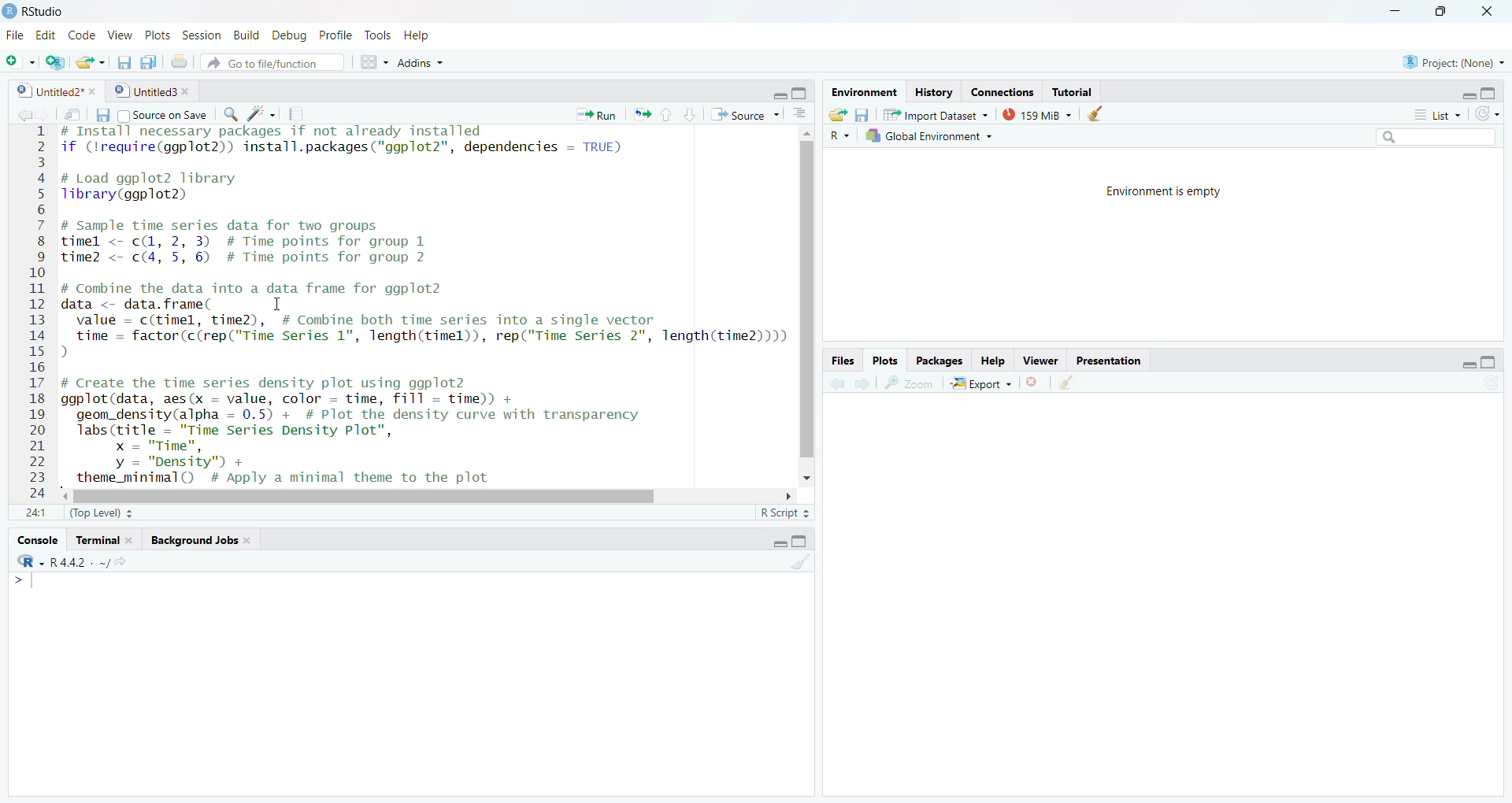 This screenshot has width=1512, height=803. What do you see at coordinates (993, 362) in the screenshot?
I see `Help` at bounding box center [993, 362].